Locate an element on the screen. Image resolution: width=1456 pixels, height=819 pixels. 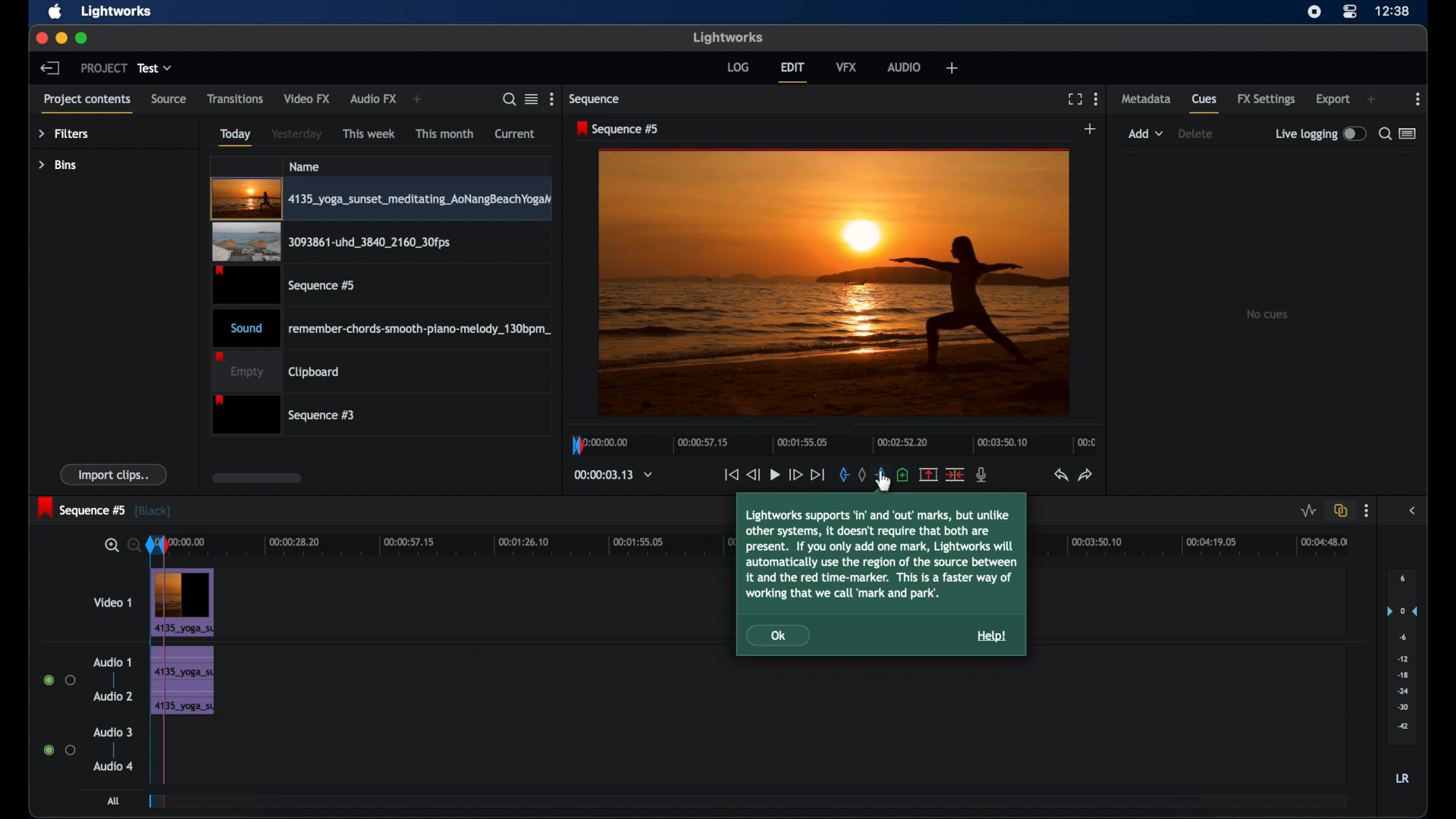
import clips is located at coordinates (113, 475).